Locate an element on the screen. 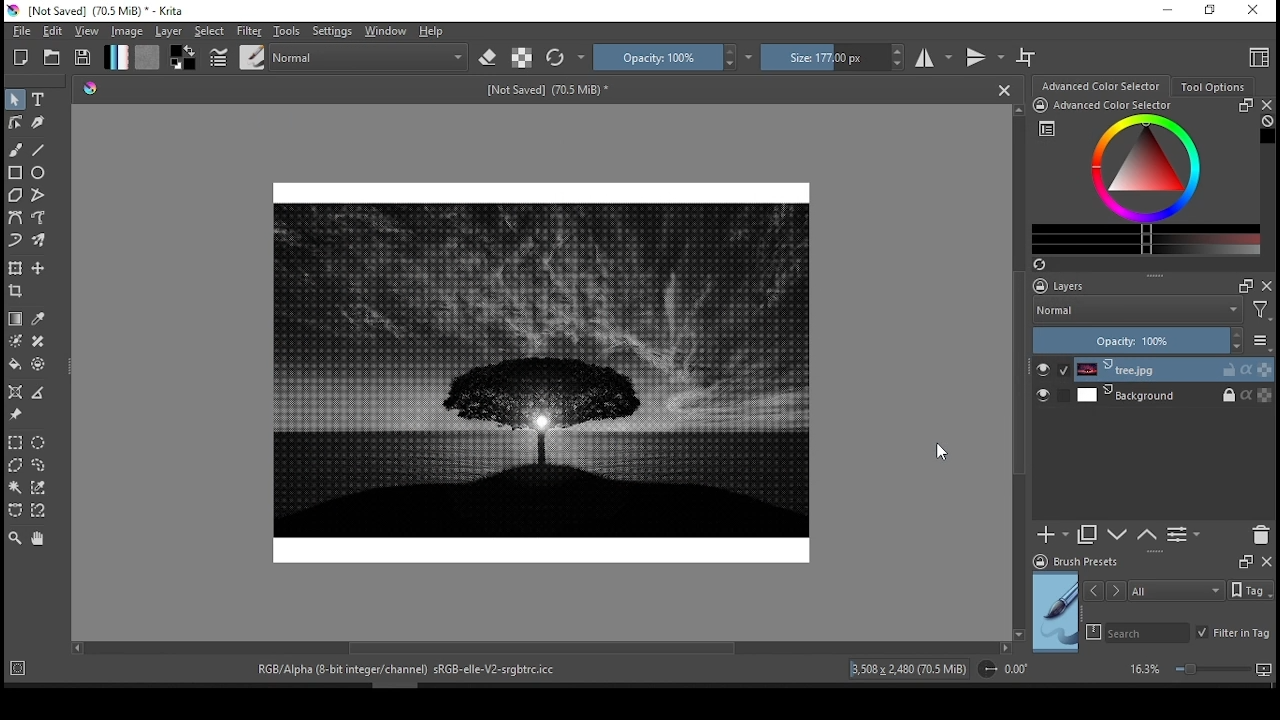 This screenshot has height=720, width=1280. blending mode is located at coordinates (370, 58).